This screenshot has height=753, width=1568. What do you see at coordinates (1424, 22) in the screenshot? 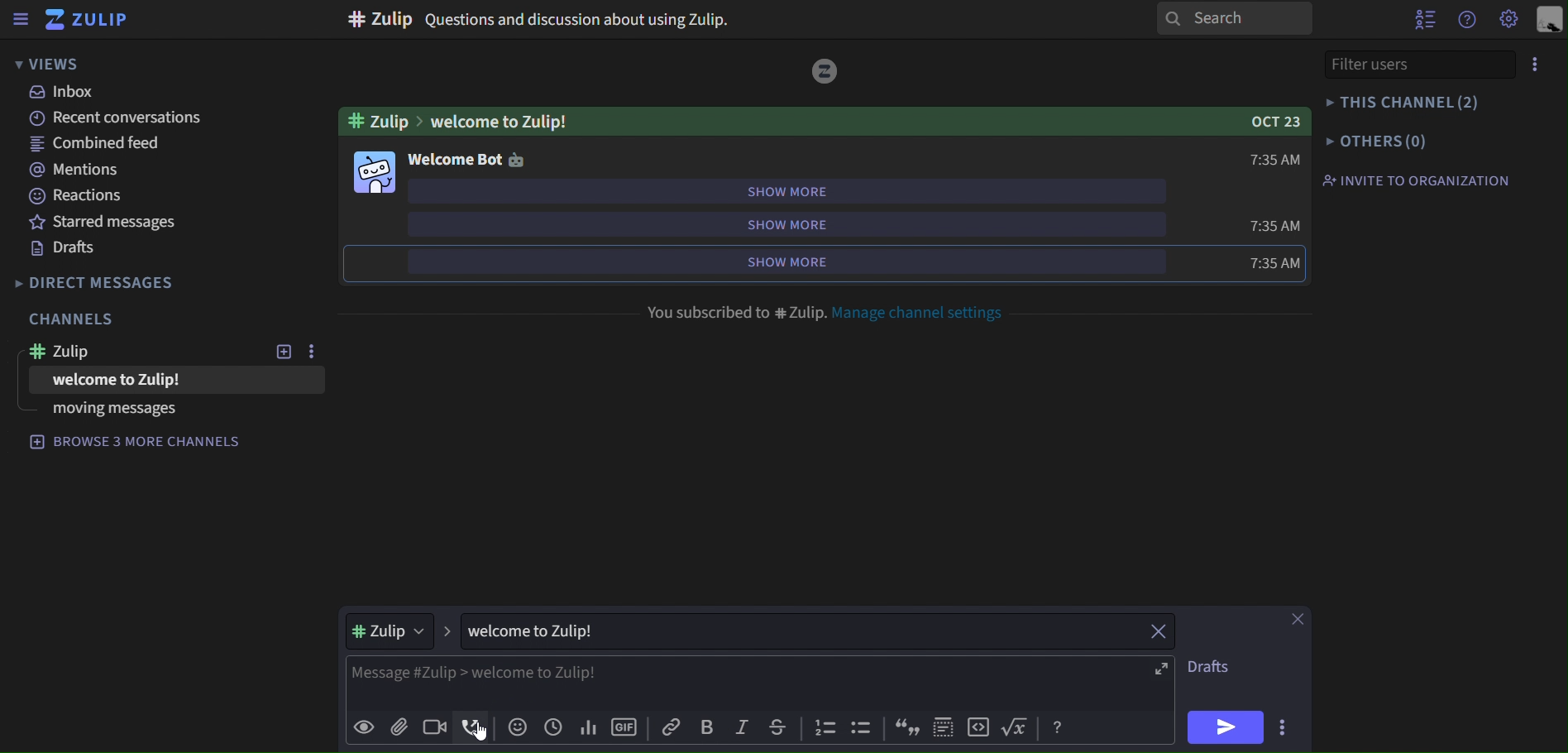
I see `hide user list` at bounding box center [1424, 22].